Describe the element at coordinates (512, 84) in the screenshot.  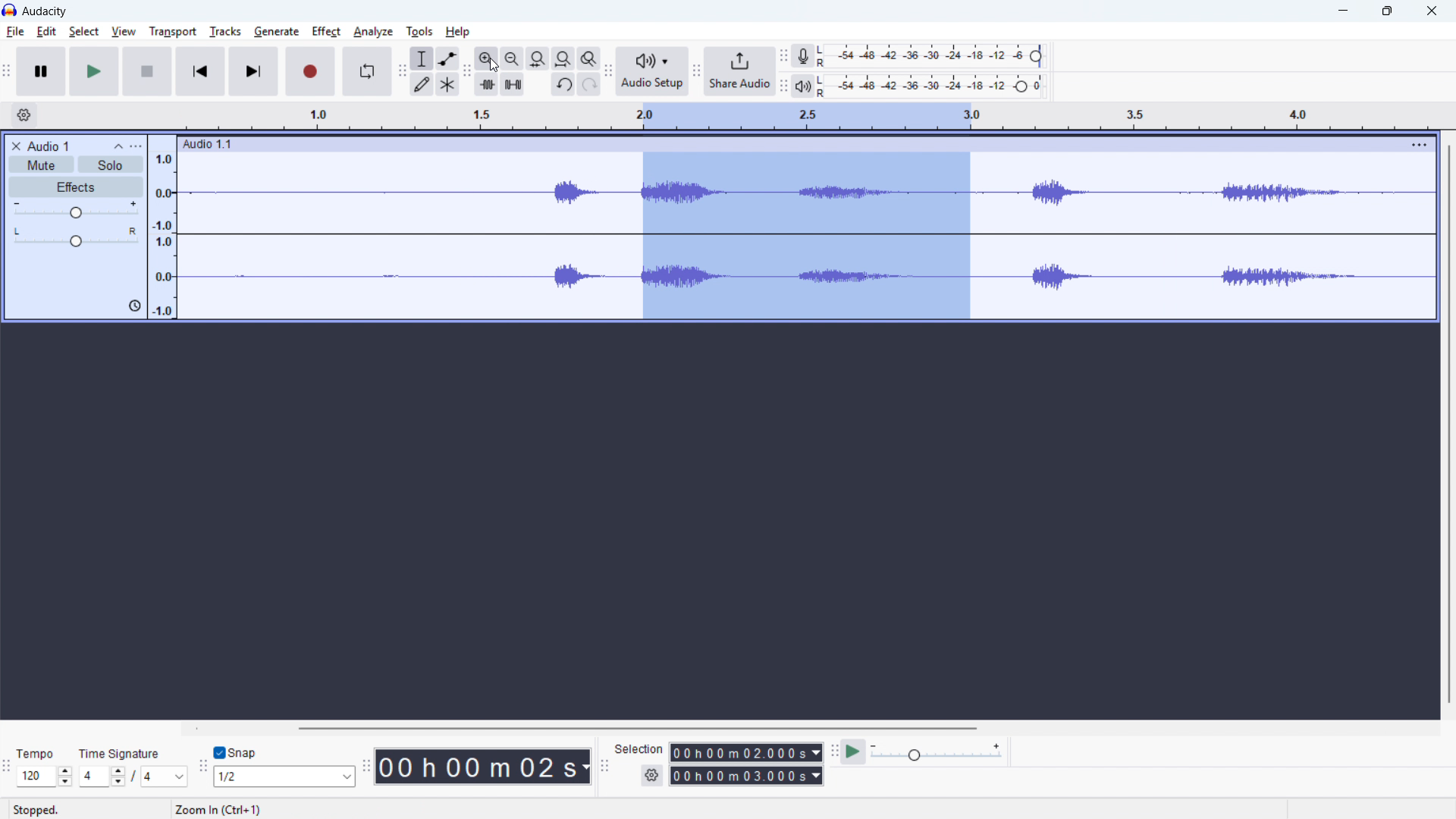
I see `Silence audio selection` at that location.